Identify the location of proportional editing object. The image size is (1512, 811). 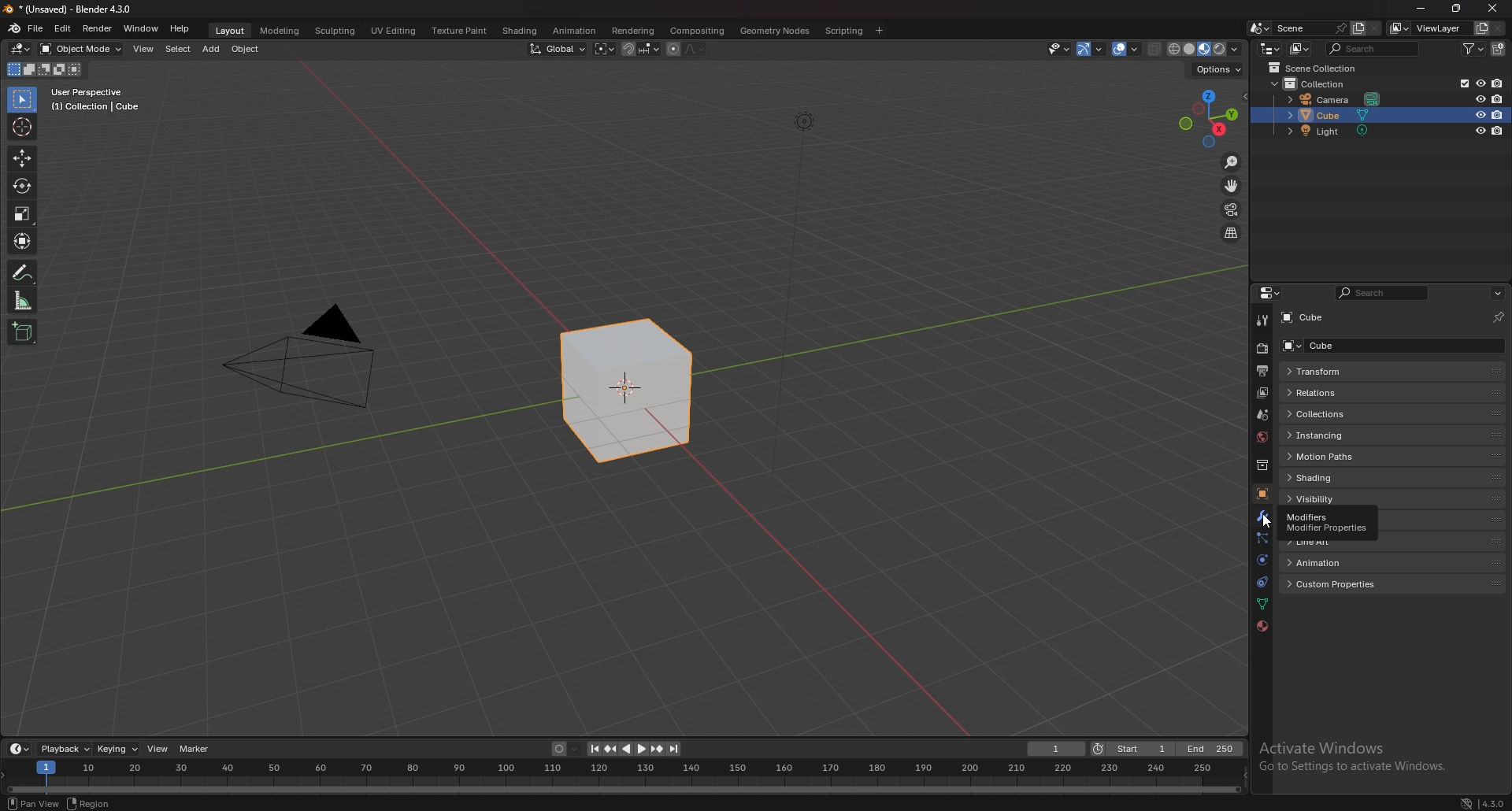
(673, 50).